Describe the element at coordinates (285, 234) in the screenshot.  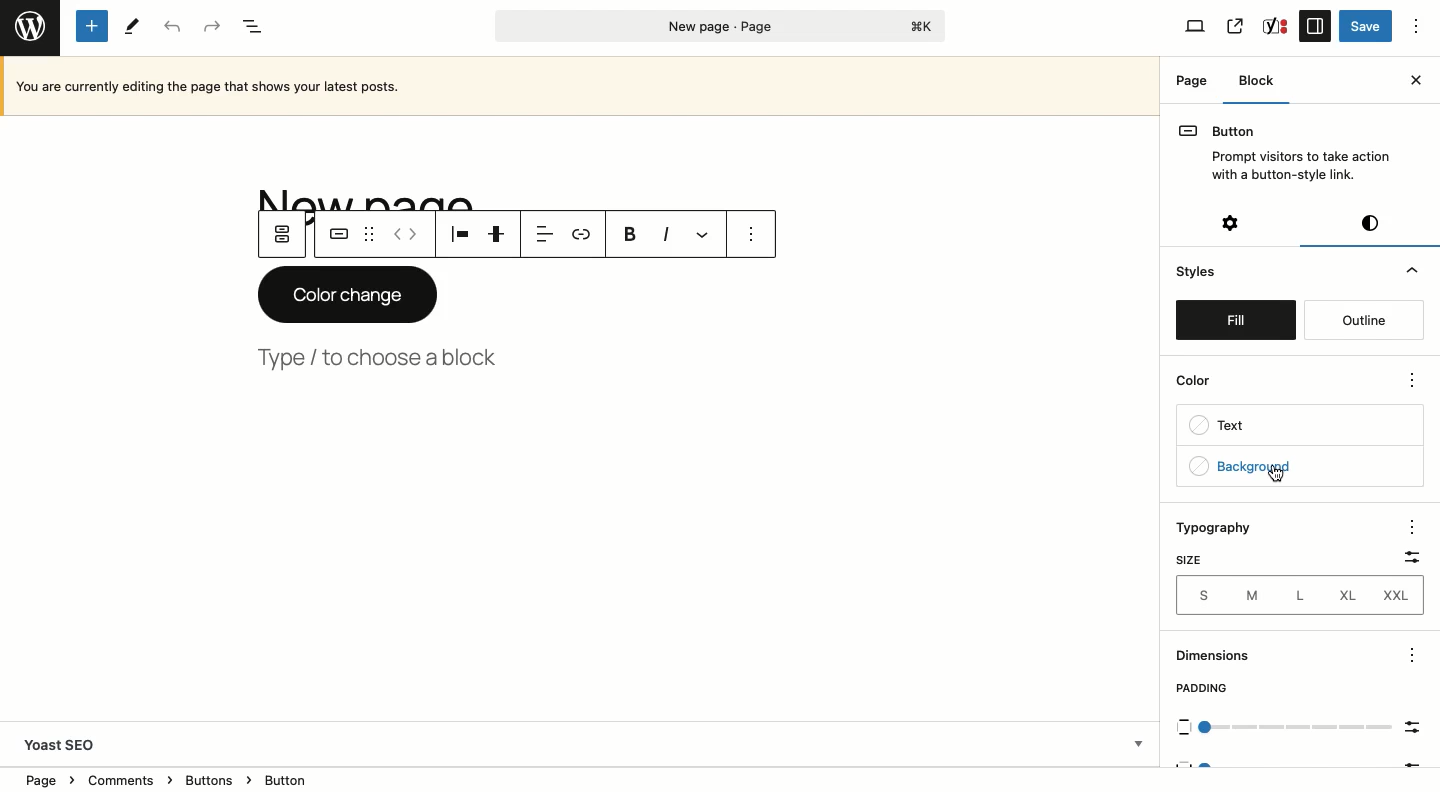
I see `Parent button` at that location.